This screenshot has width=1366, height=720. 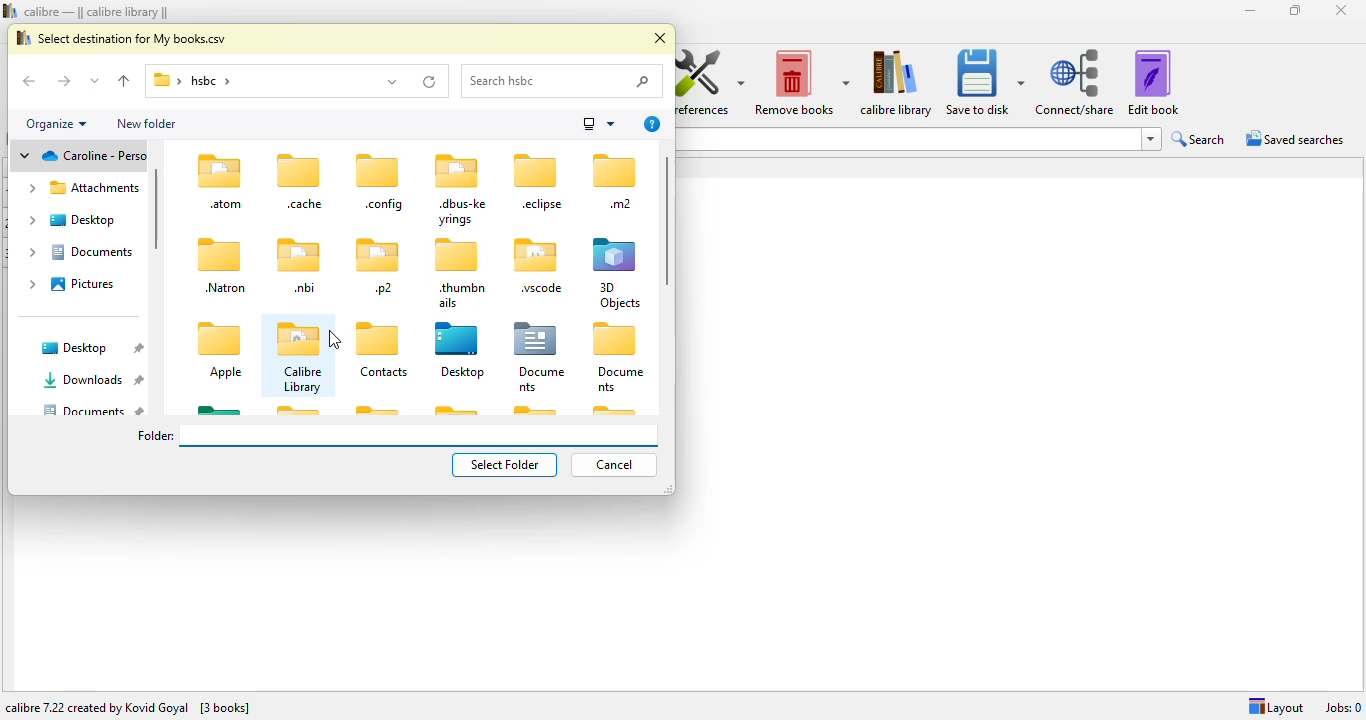 I want to click on organize, so click(x=58, y=124).